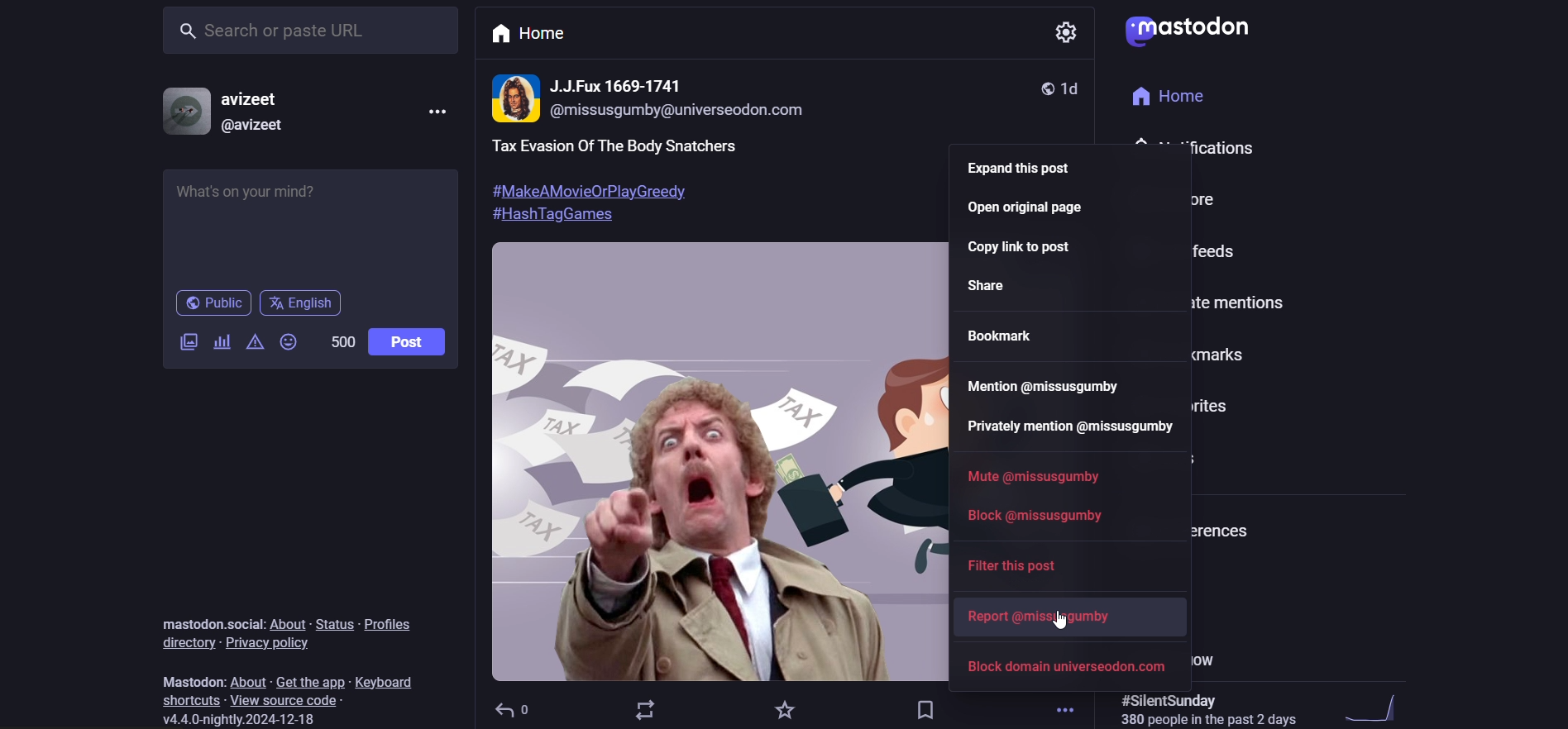 This screenshot has width=1568, height=729. I want to click on cursor, so click(1063, 621).